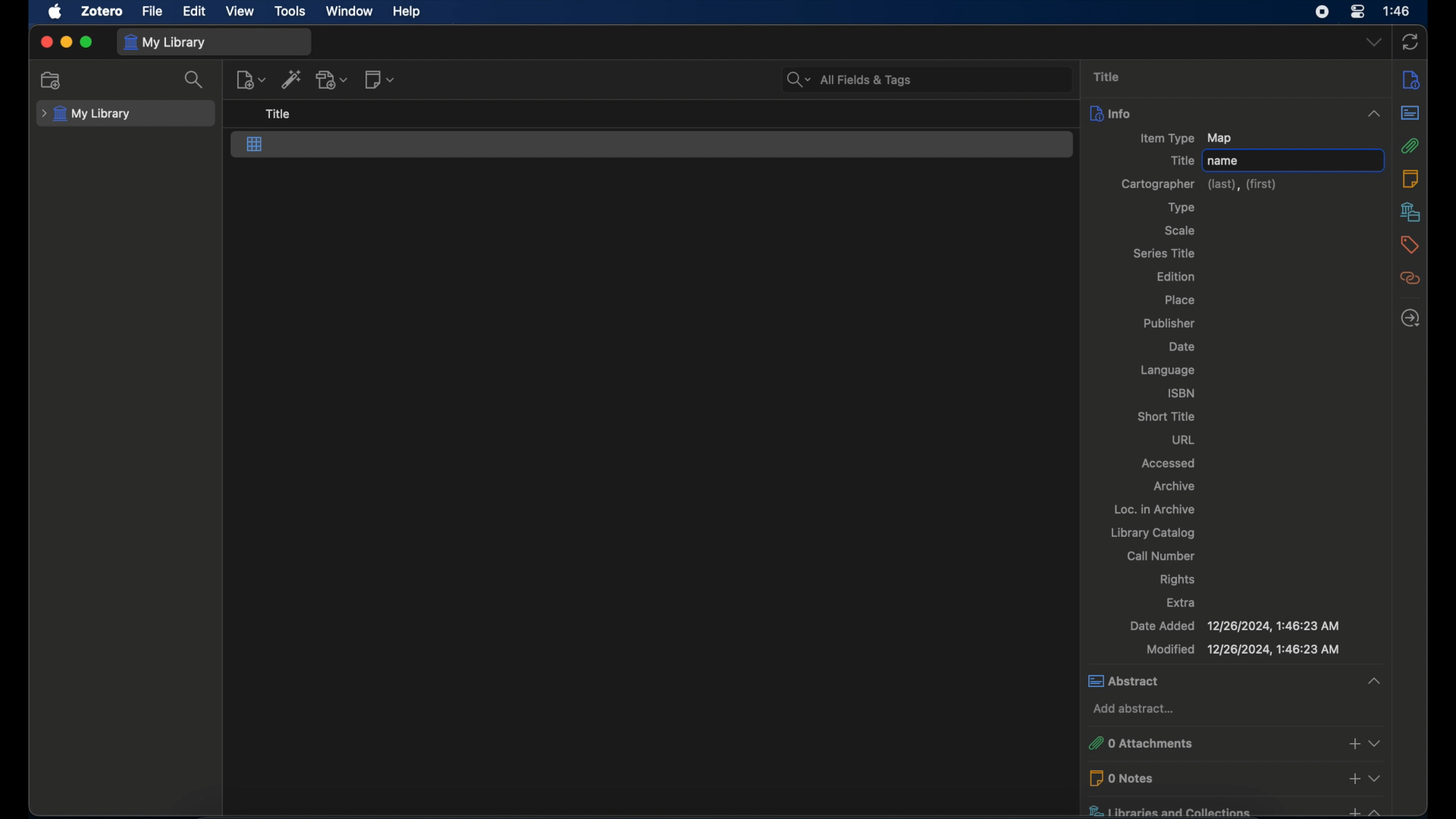 The height and width of the screenshot is (819, 1456). What do you see at coordinates (152, 11) in the screenshot?
I see `file` at bounding box center [152, 11].